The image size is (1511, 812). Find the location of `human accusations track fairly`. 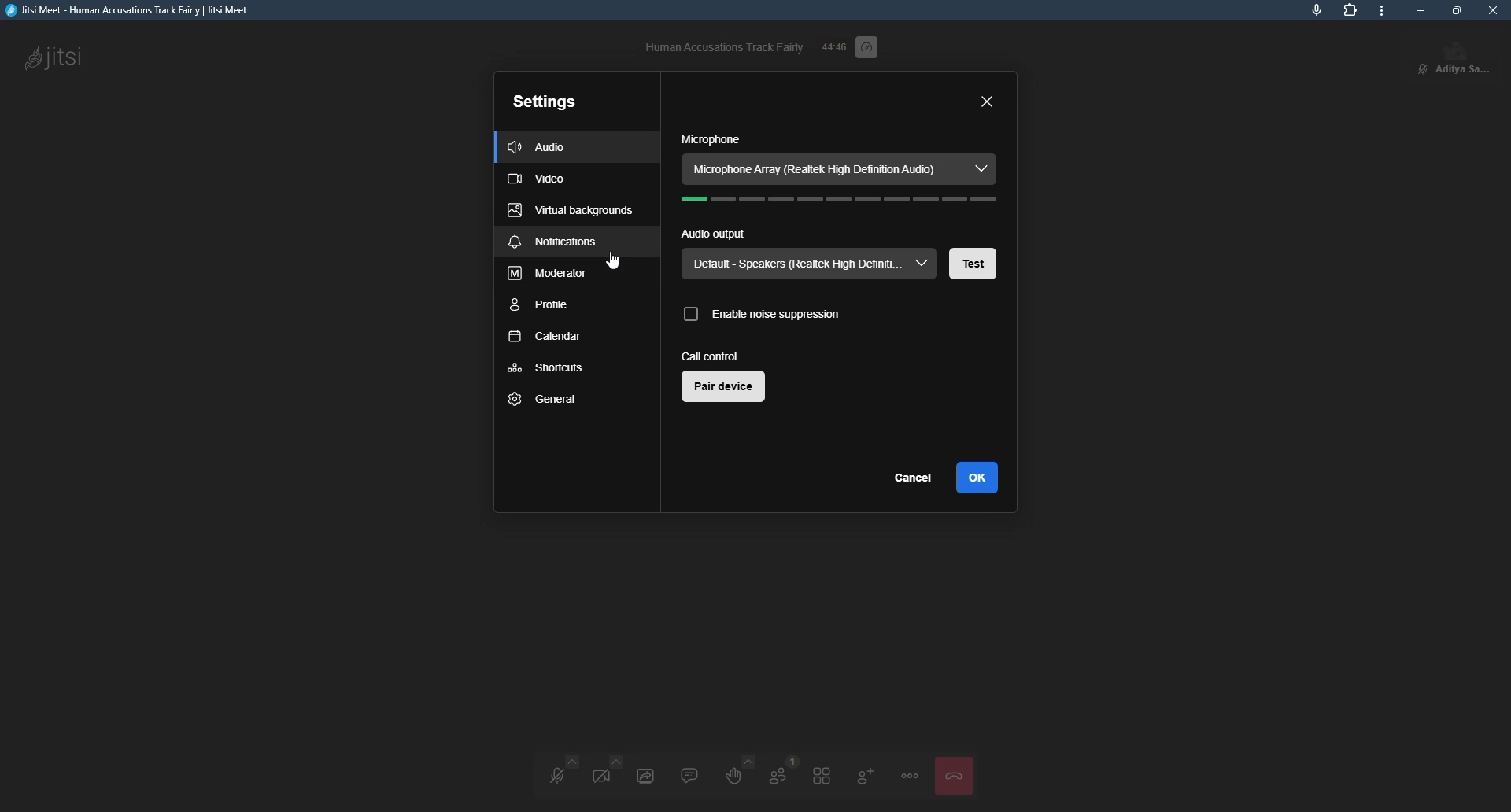

human accusations track fairly is located at coordinates (723, 46).